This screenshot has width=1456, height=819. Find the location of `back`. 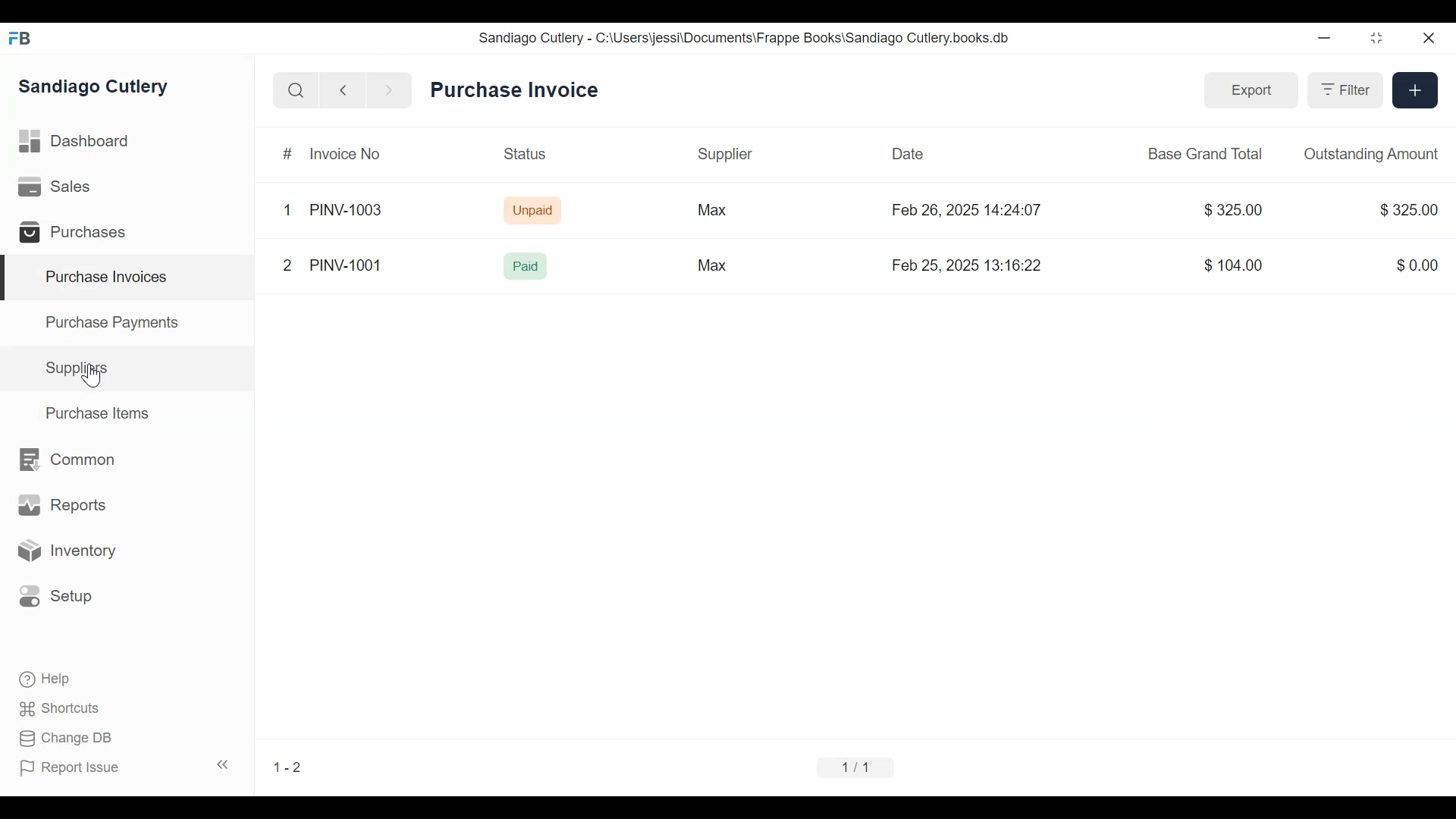

back is located at coordinates (347, 89).